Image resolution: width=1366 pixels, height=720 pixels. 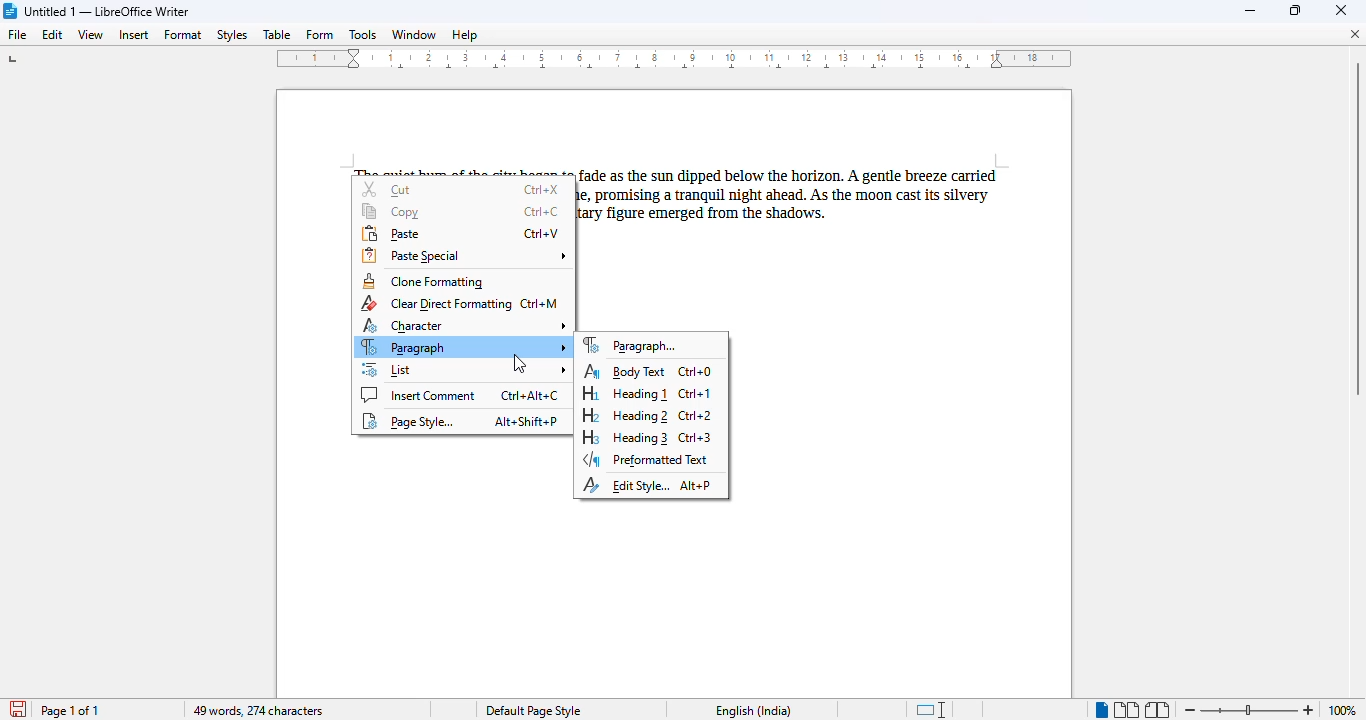 I want to click on cursor, so click(x=520, y=365).